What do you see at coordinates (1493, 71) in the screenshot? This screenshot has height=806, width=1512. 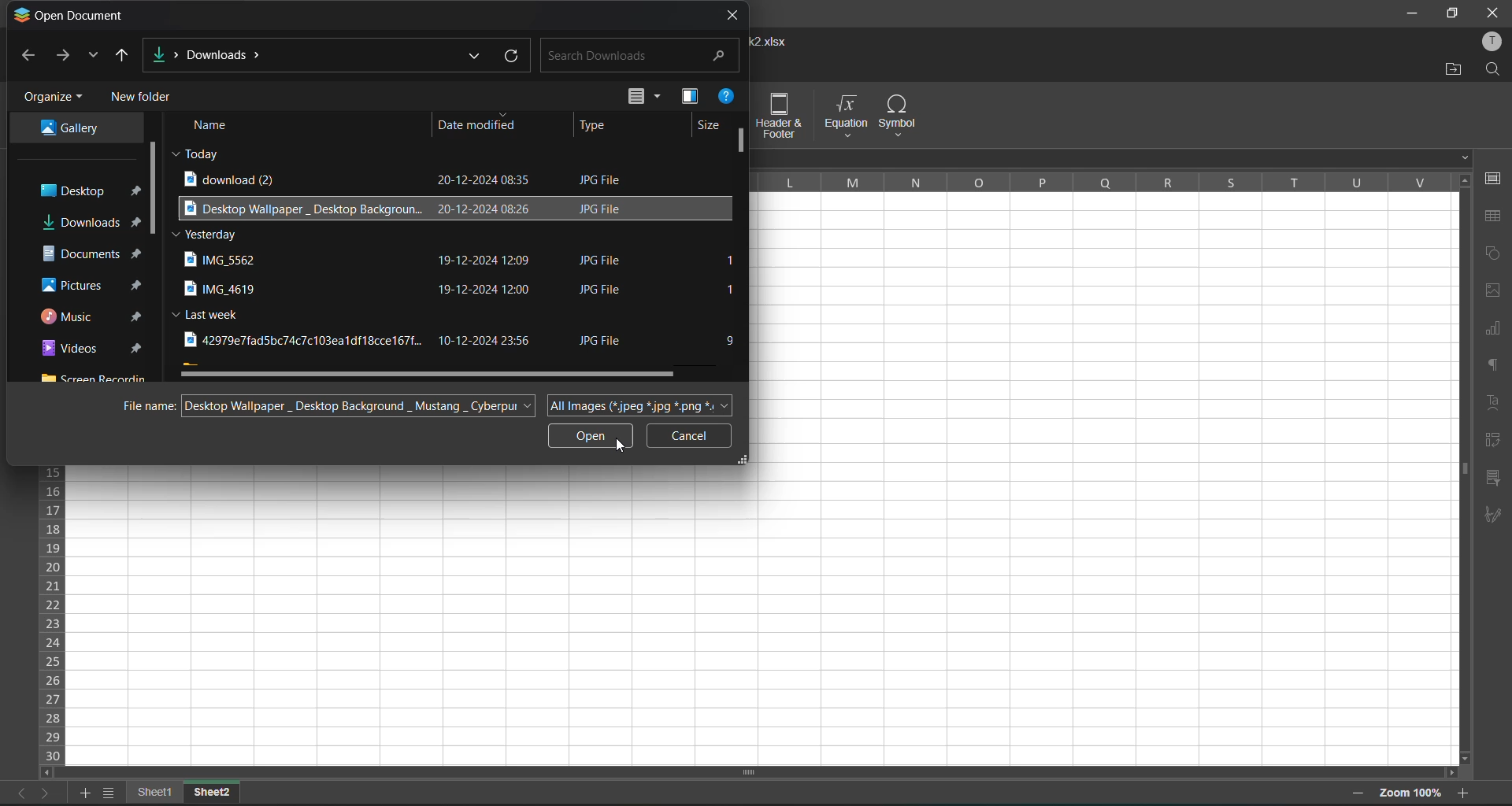 I see `find` at bounding box center [1493, 71].